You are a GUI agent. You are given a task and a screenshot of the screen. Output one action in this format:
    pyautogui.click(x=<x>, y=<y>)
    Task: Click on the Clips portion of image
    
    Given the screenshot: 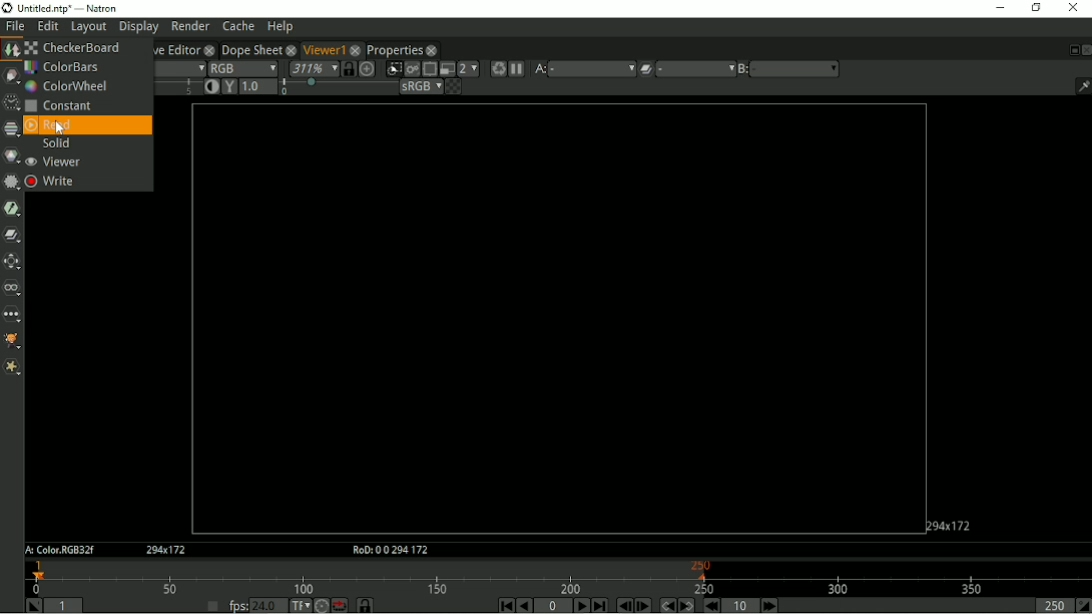 What is the action you would take?
    pyautogui.click(x=393, y=69)
    